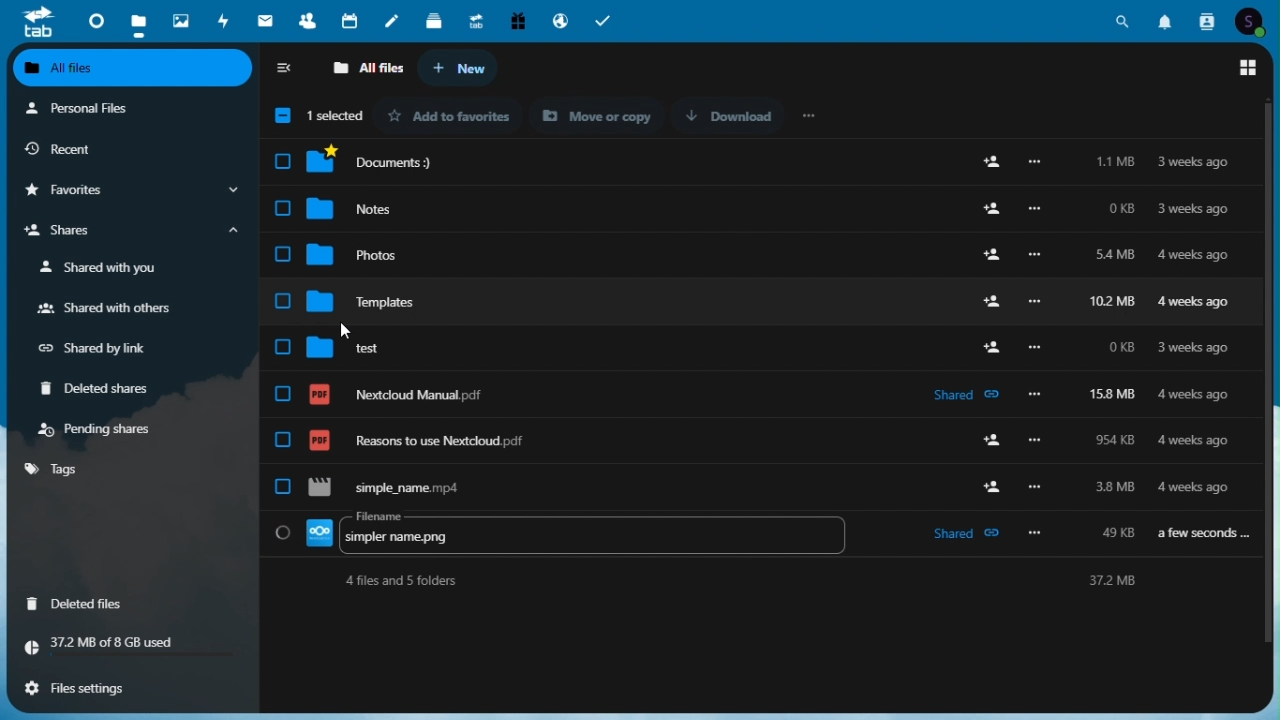  I want to click on switch to grid view, so click(1249, 68).